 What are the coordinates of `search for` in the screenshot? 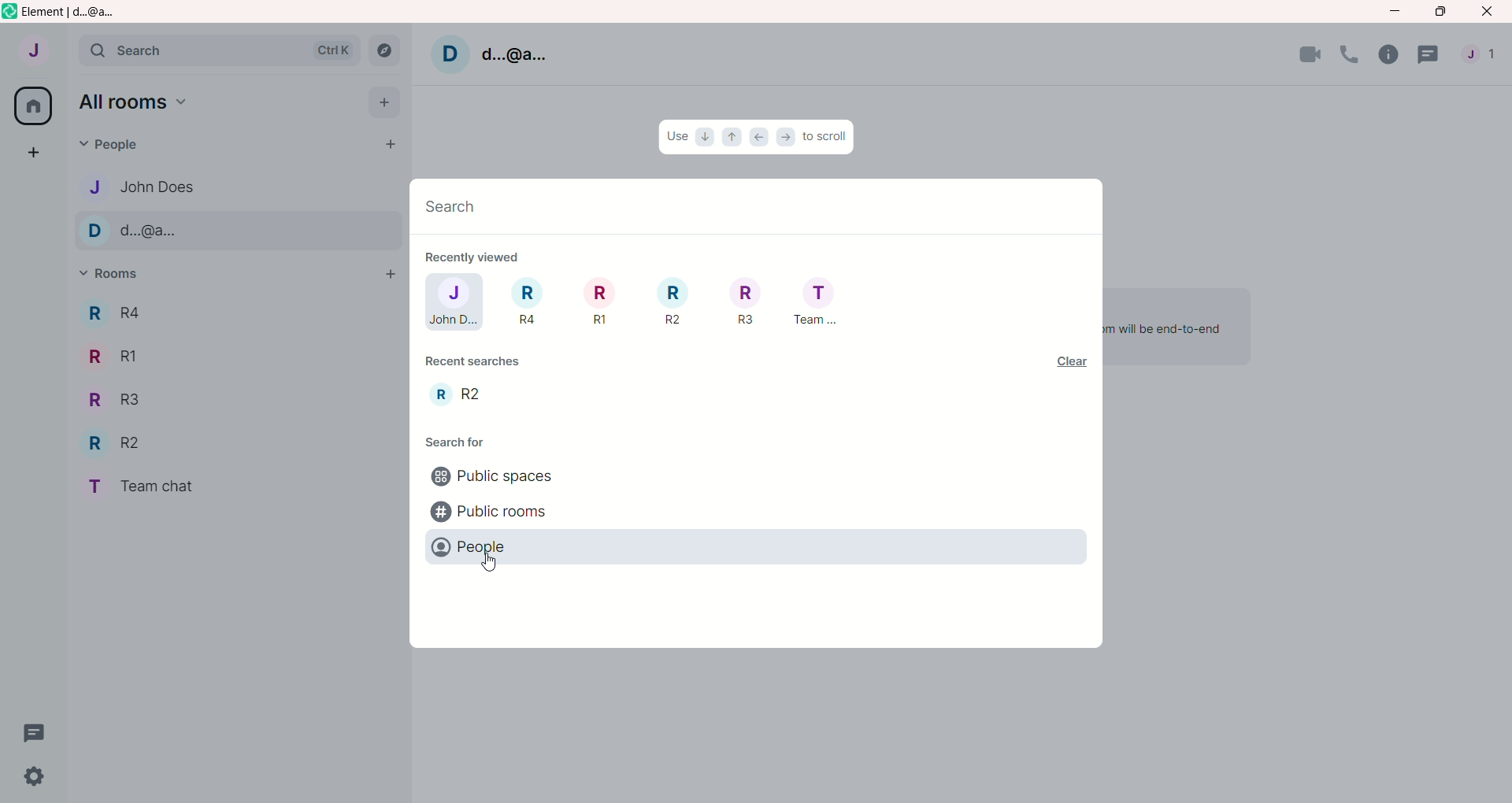 It's located at (475, 442).